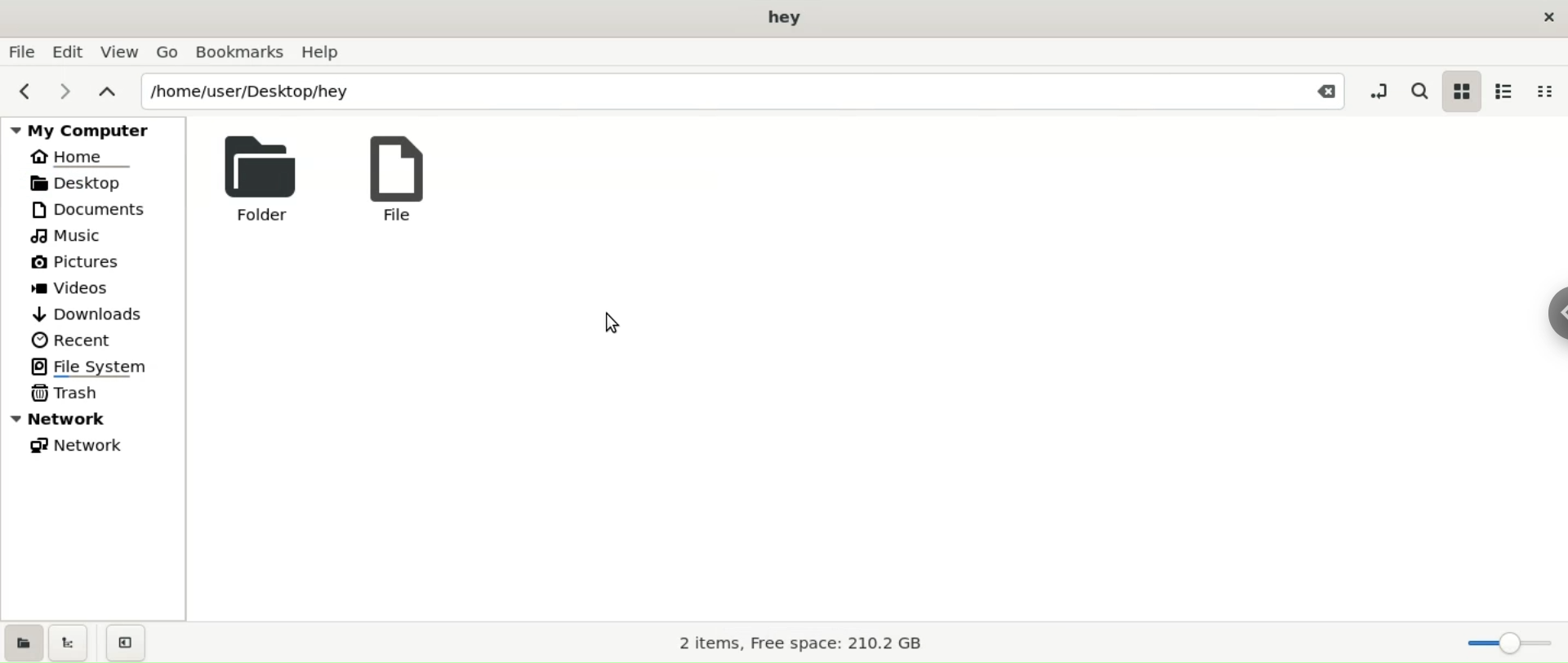  Describe the element at coordinates (91, 128) in the screenshot. I see `my computer` at that location.